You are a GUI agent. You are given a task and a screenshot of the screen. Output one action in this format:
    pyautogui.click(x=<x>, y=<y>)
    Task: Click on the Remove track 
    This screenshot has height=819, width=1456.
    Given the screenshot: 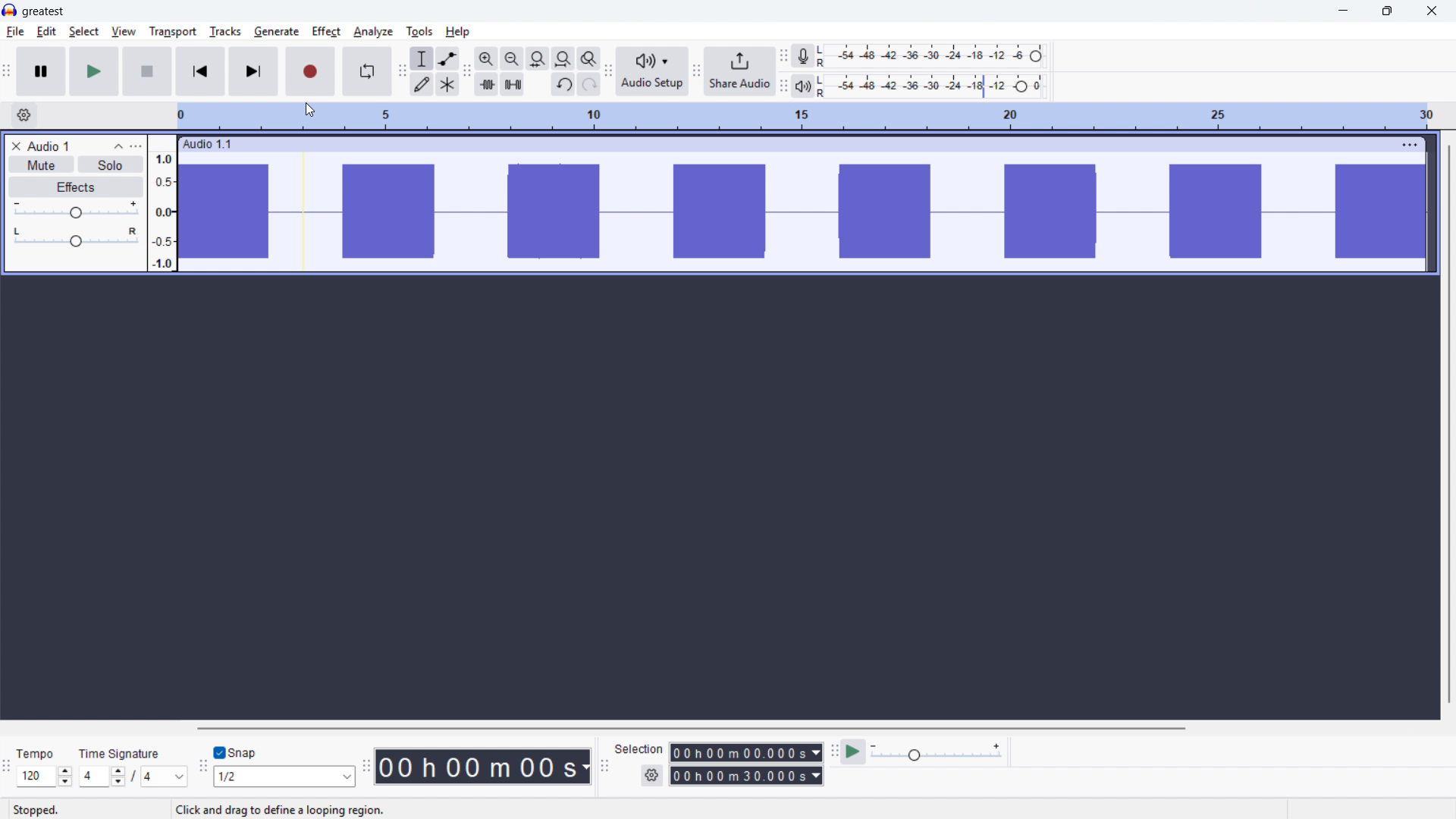 What is the action you would take?
    pyautogui.click(x=16, y=146)
    